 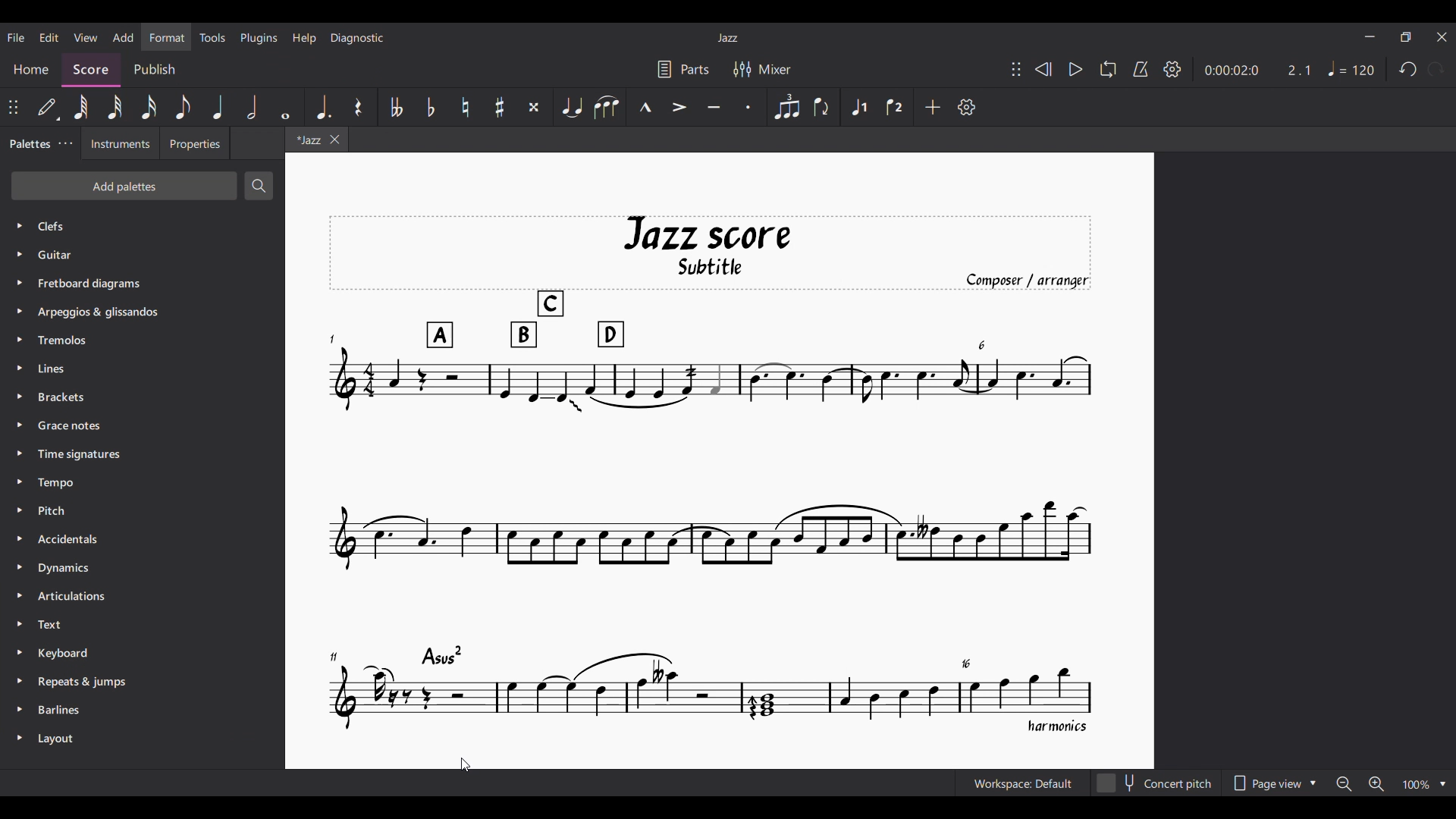 I want to click on Search, so click(x=258, y=186).